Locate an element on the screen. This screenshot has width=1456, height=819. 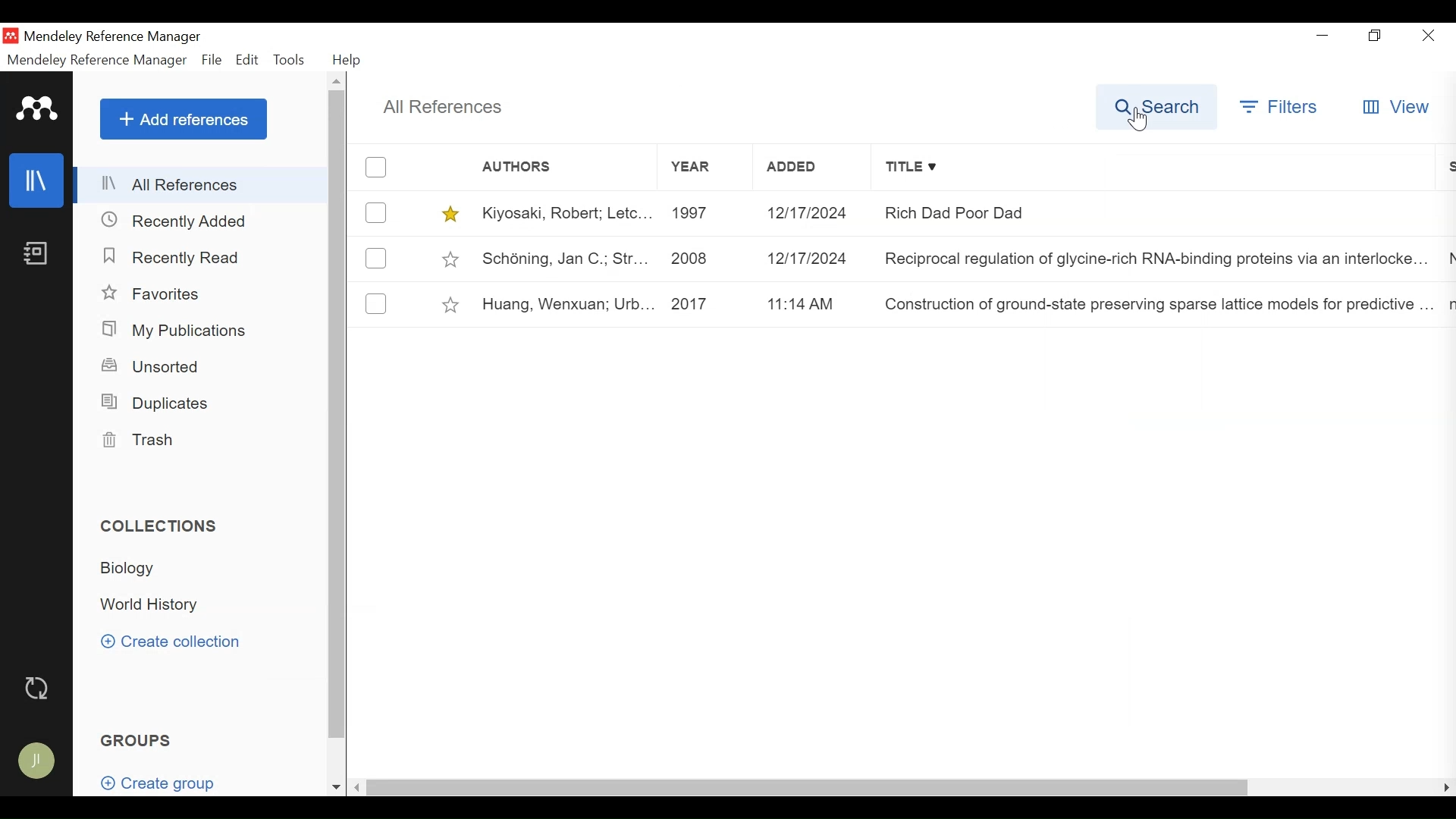
Scroll down is located at coordinates (336, 787).